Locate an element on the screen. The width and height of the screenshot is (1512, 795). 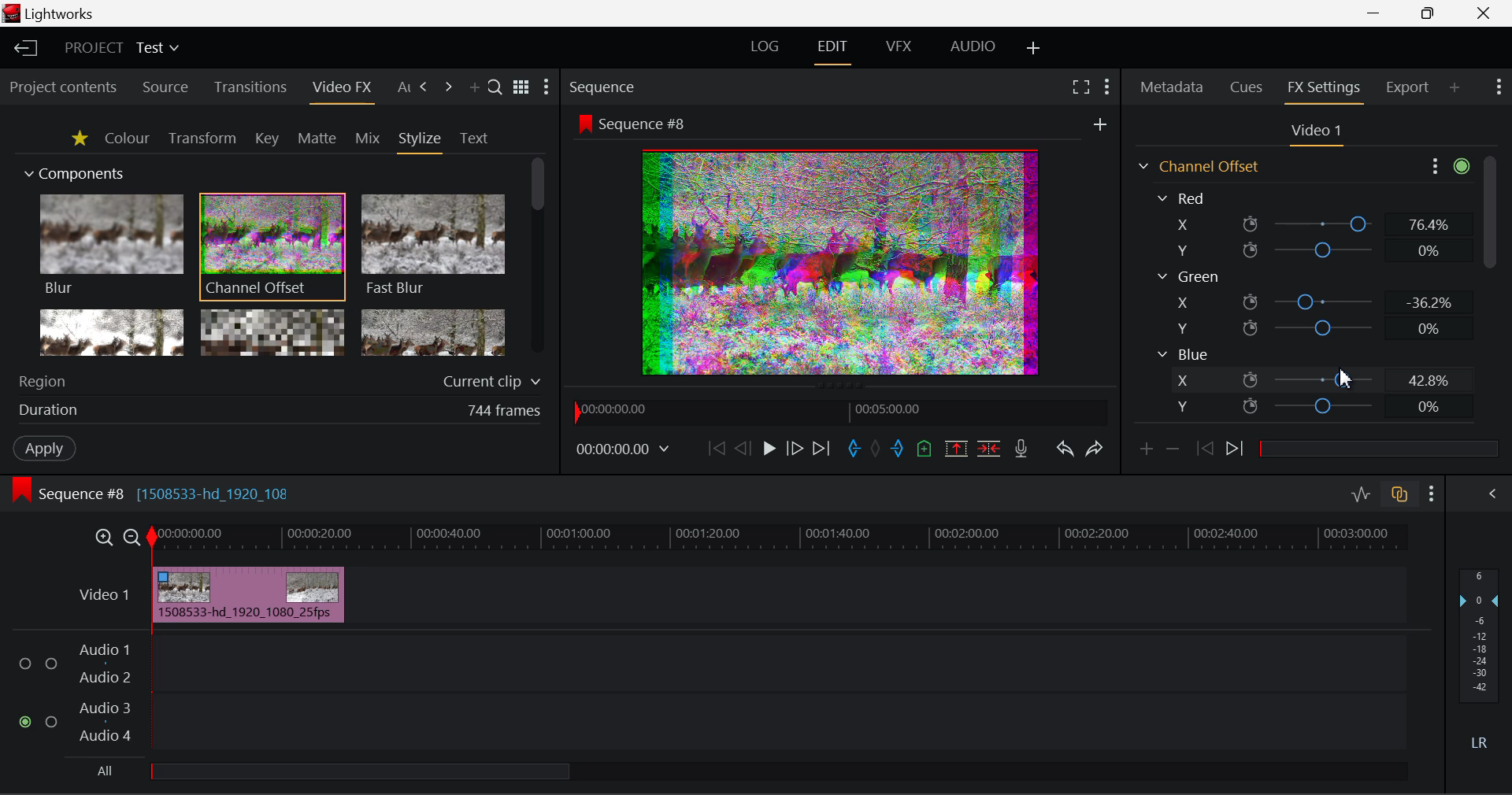
Region is located at coordinates (283, 379).